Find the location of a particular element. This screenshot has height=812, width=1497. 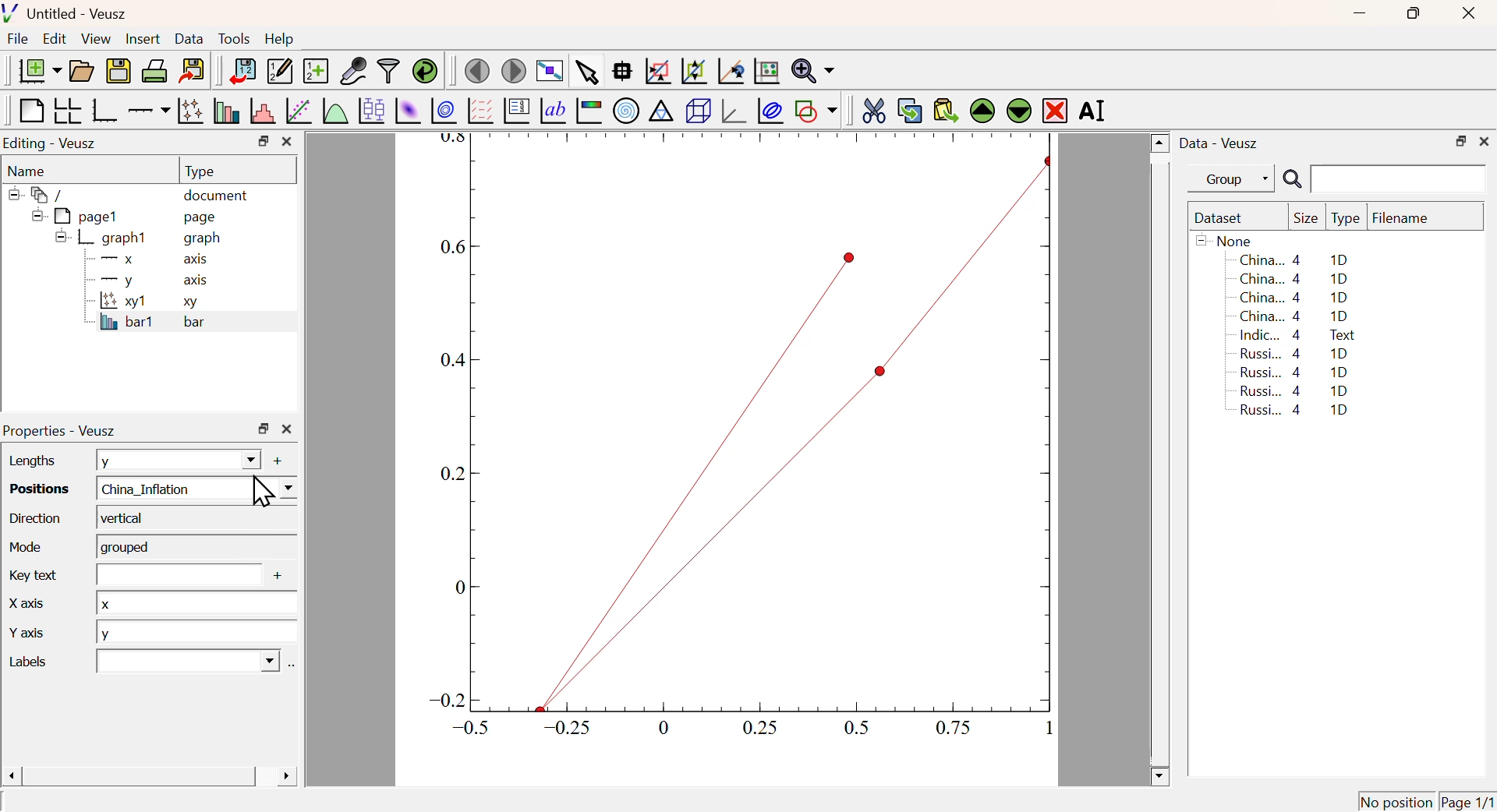

Minimize is located at coordinates (1360, 14).